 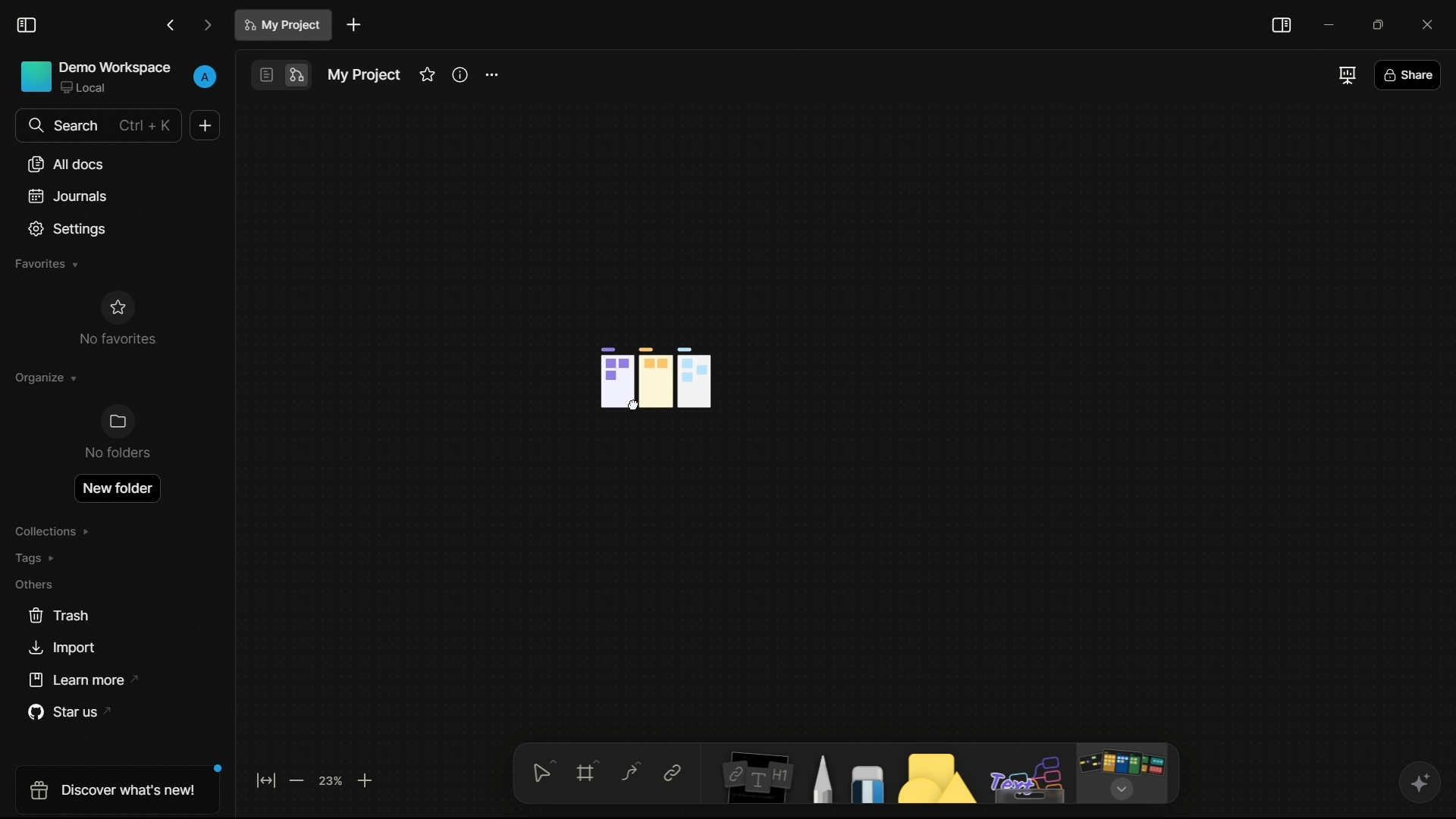 What do you see at coordinates (331, 780) in the screenshot?
I see `zoom factor` at bounding box center [331, 780].